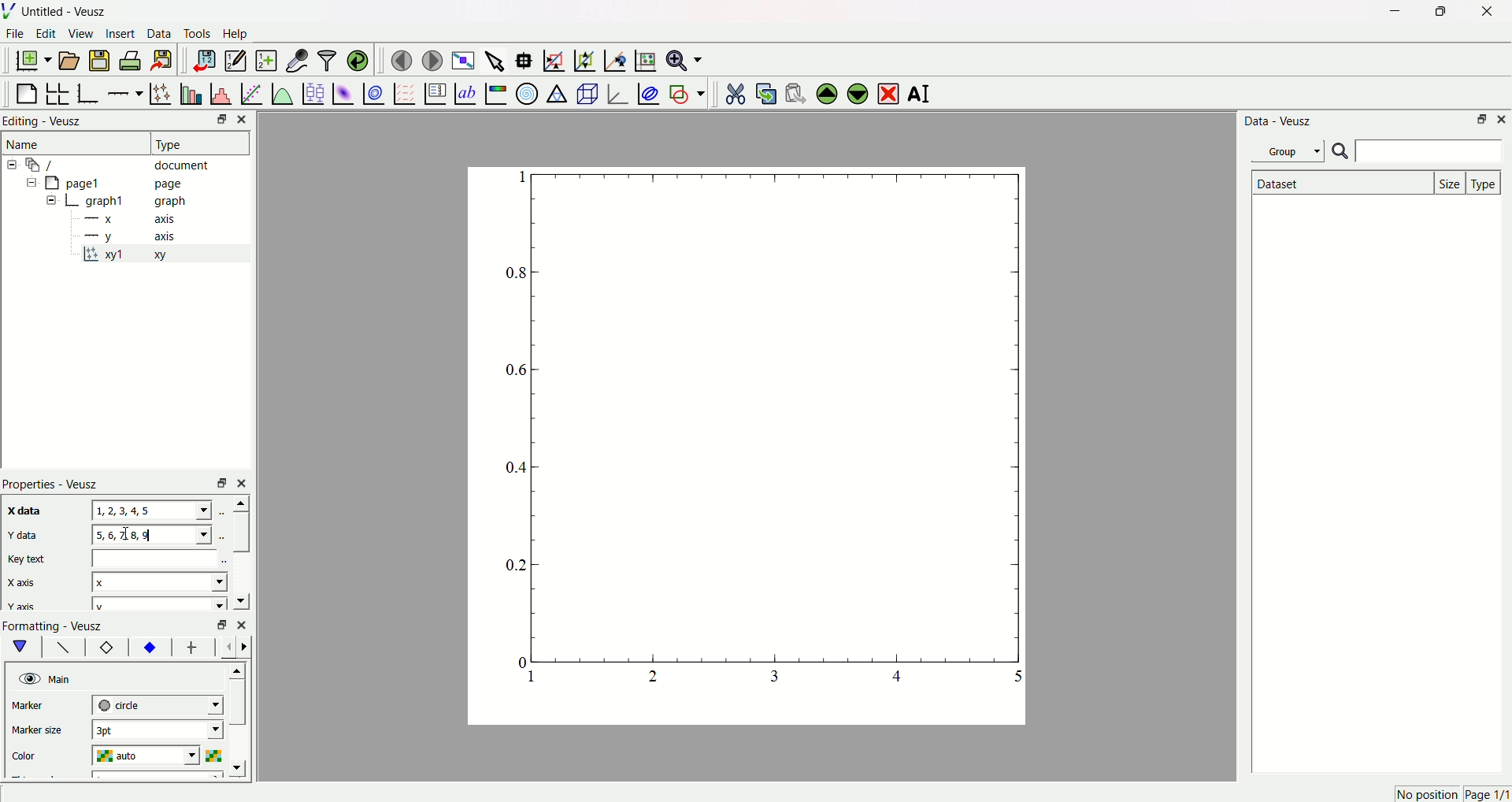 This screenshot has width=1512, height=802. I want to click on move left, so click(230, 647).